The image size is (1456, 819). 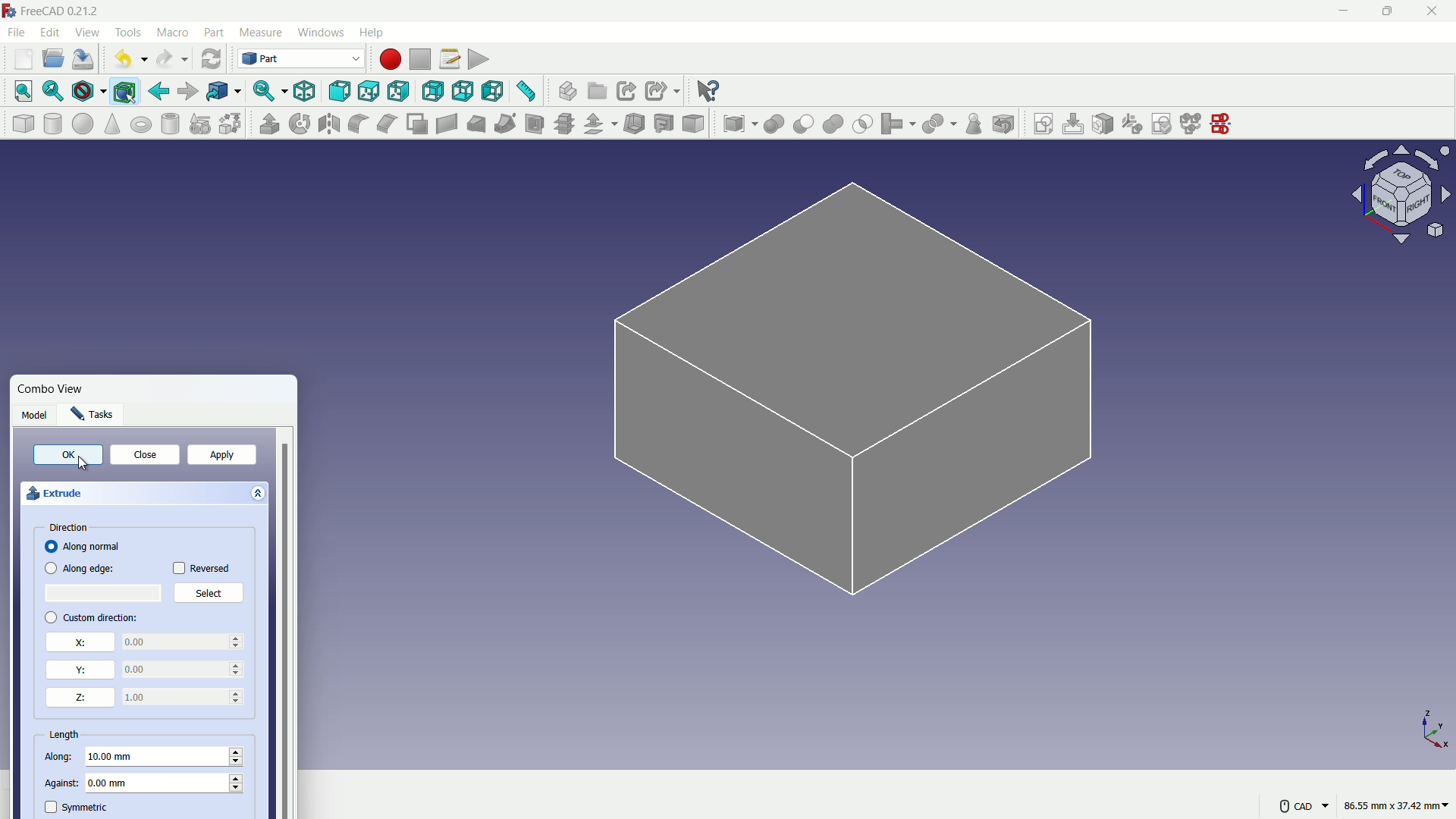 I want to click on front view, so click(x=339, y=90).